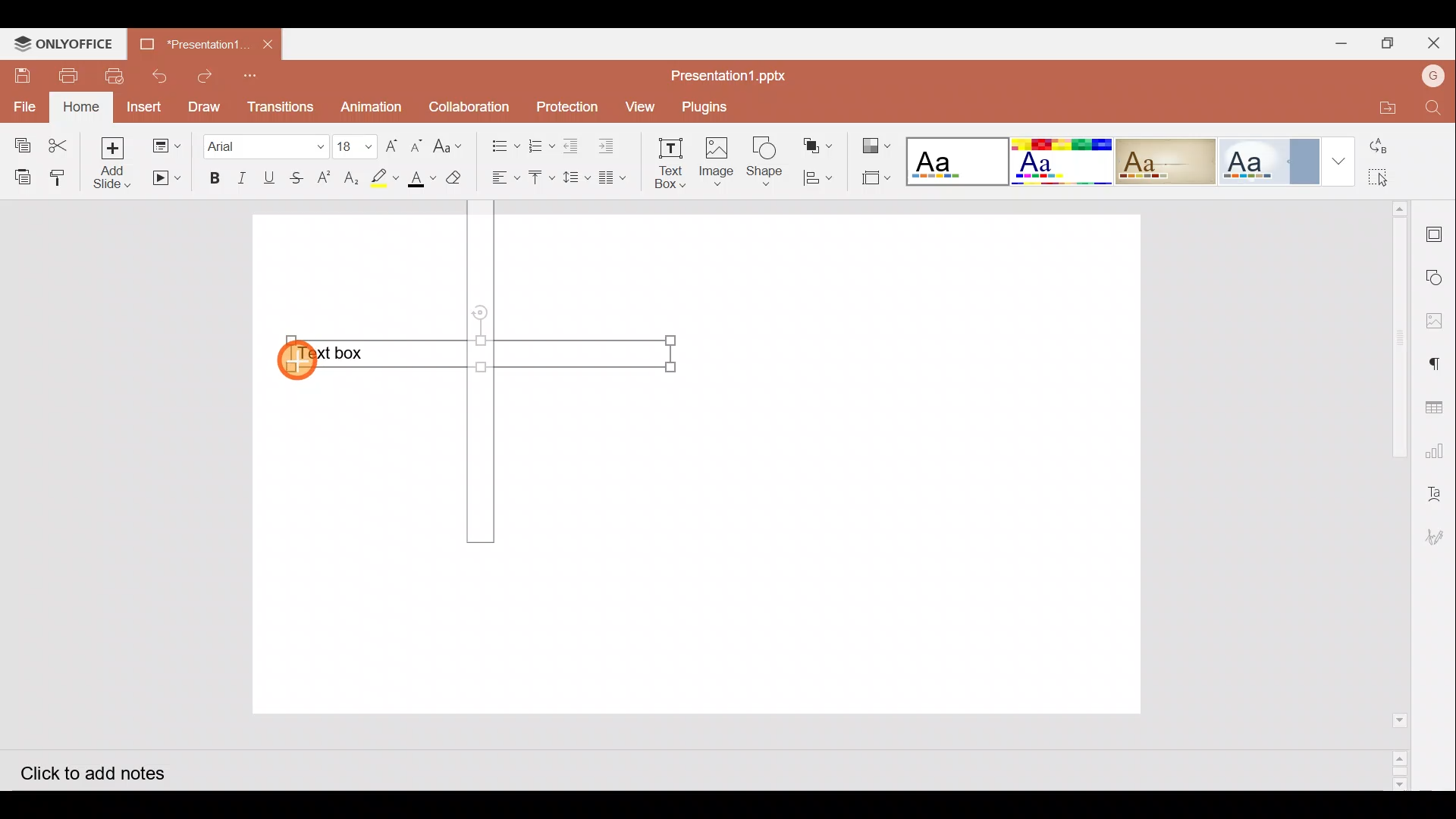 Image resolution: width=1456 pixels, height=819 pixels. Describe the element at coordinates (255, 75) in the screenshot. I see `Customize quick access` at that location.